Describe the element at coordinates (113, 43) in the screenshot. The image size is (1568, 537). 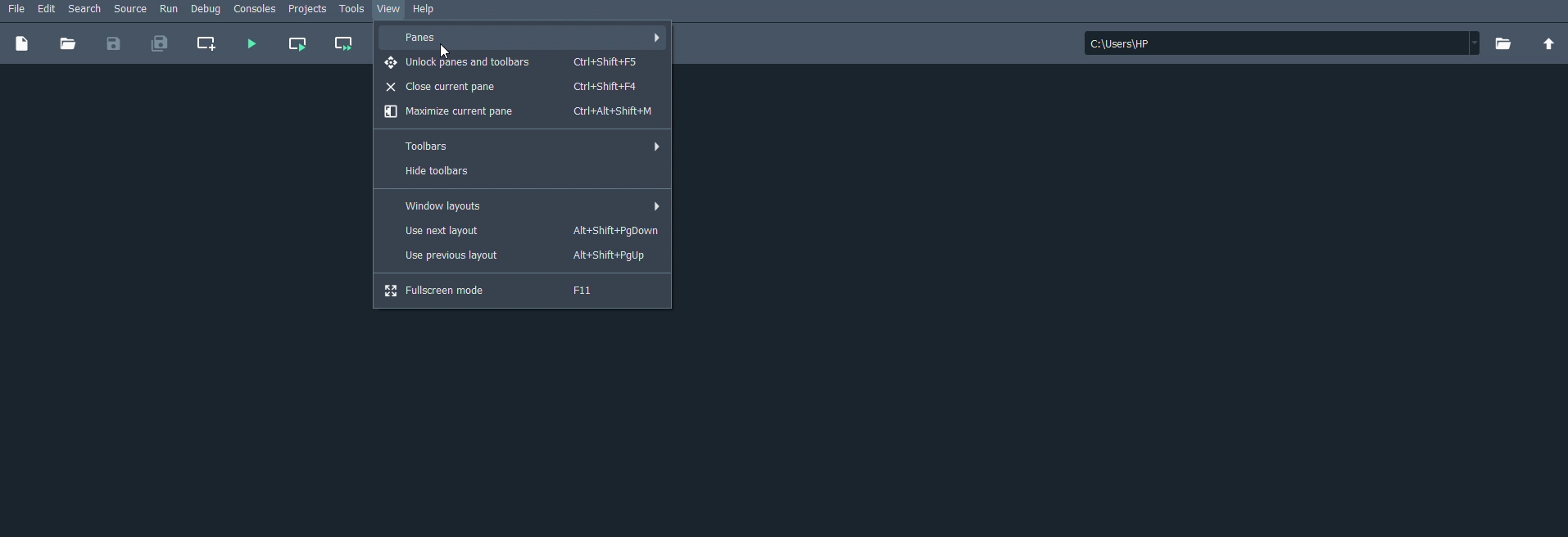
I see `Save file` at that location.